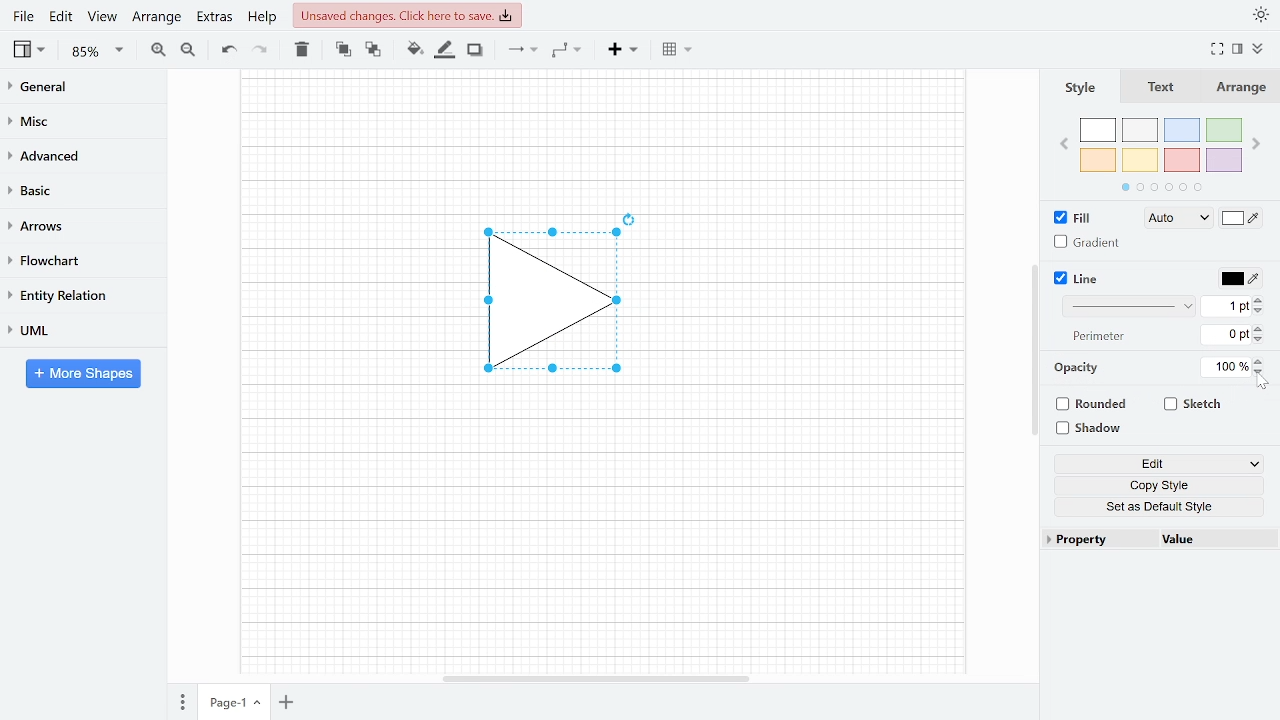  I want to click on Format (Ctrl+Shift+P), so click(1238, 50).